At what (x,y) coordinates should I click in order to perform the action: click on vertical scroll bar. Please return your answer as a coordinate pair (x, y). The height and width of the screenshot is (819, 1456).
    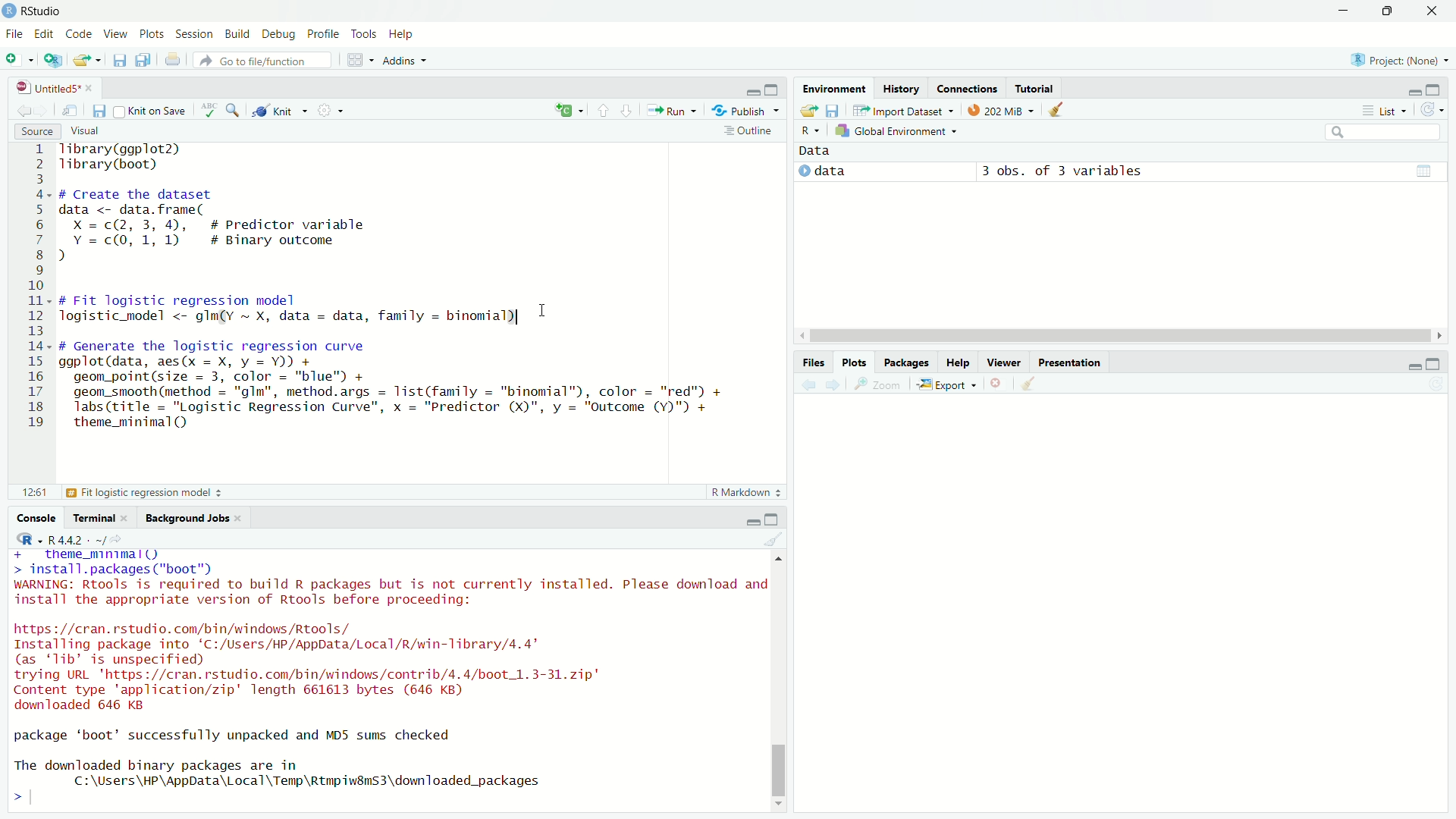
    Looking at the image, I should click on (777, 681).